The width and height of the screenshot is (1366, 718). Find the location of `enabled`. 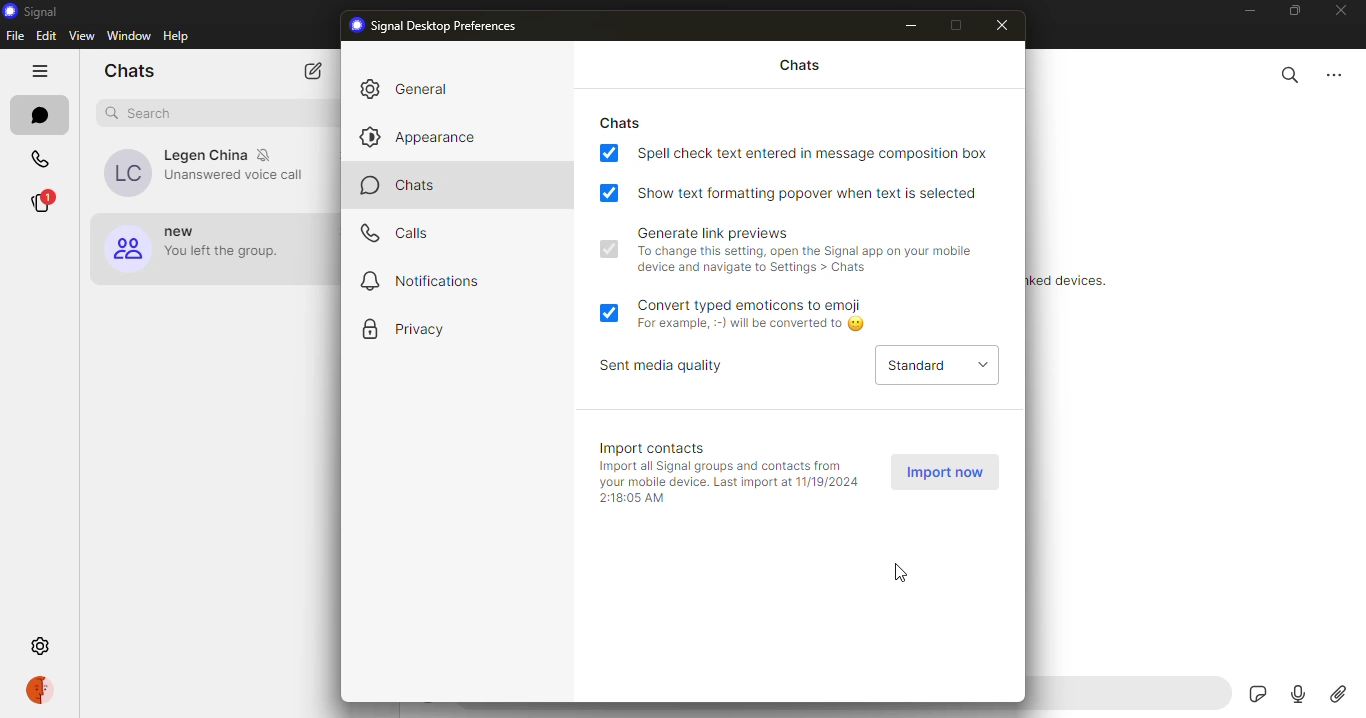

enabled is located at coordinates (610, 311).